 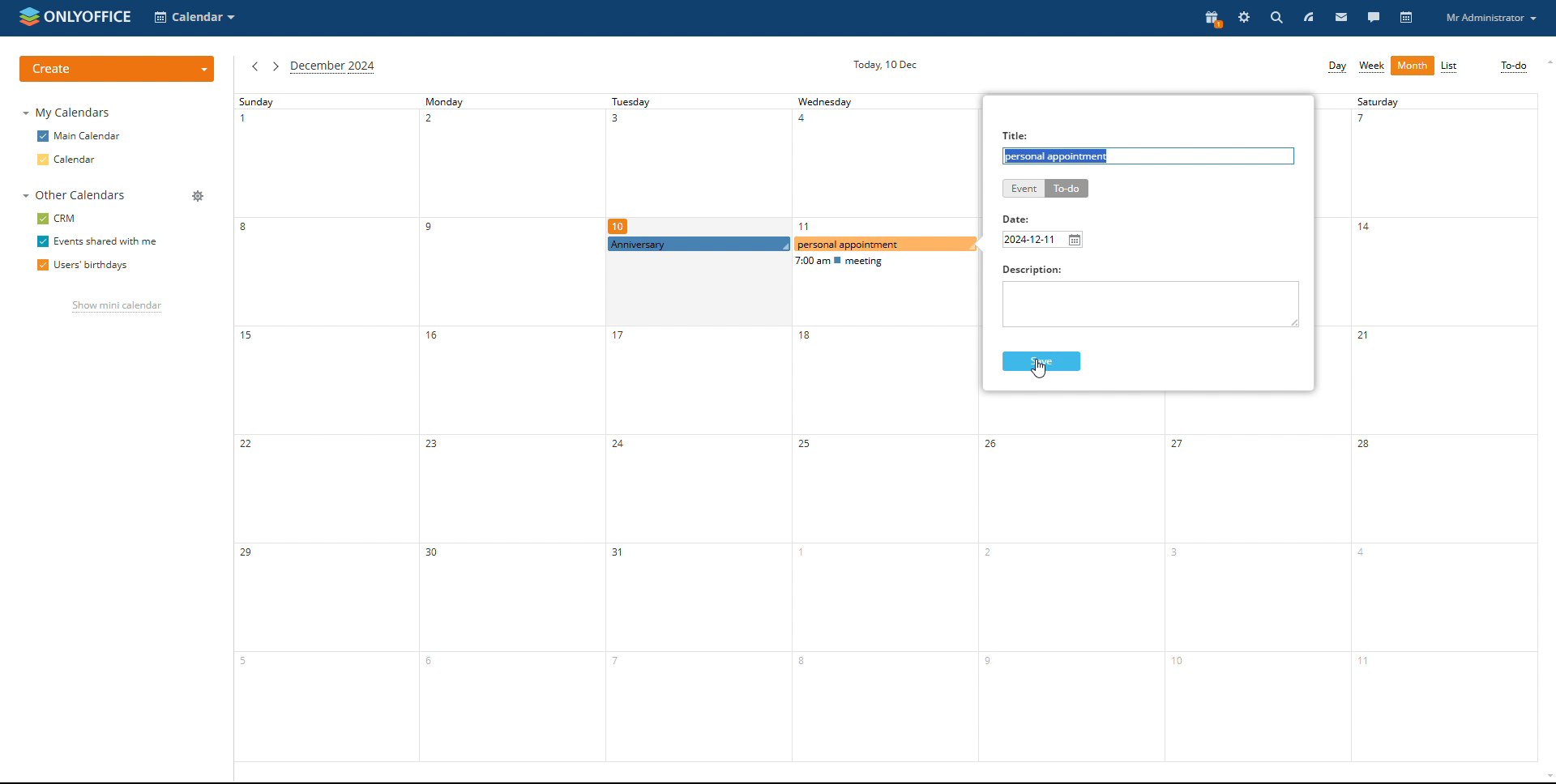 What do you see at coordinates (333, 67) in the screenshot?
I see `current month` at bounding box center [333, 67].